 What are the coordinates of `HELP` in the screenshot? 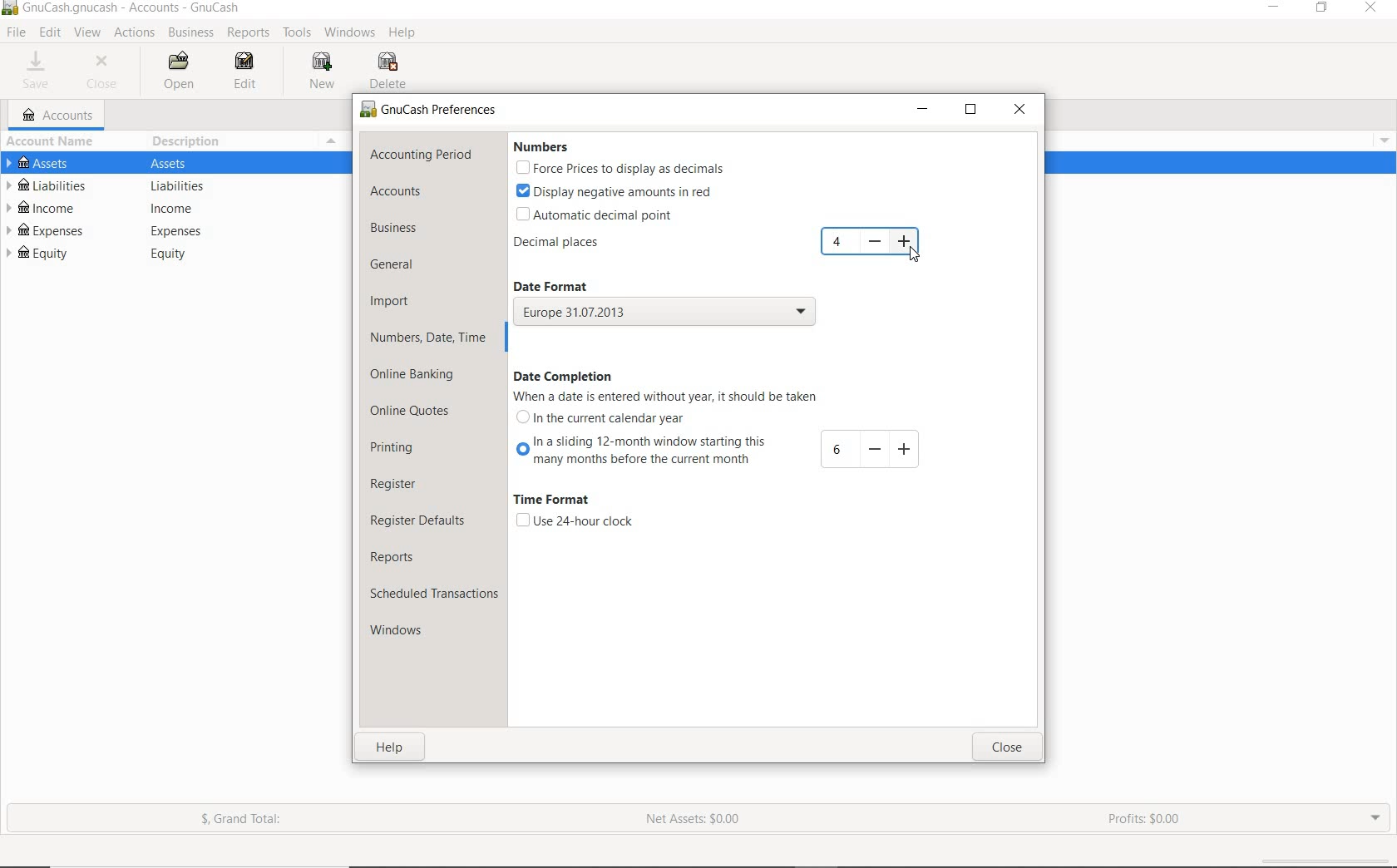 It's located at (406, 35).